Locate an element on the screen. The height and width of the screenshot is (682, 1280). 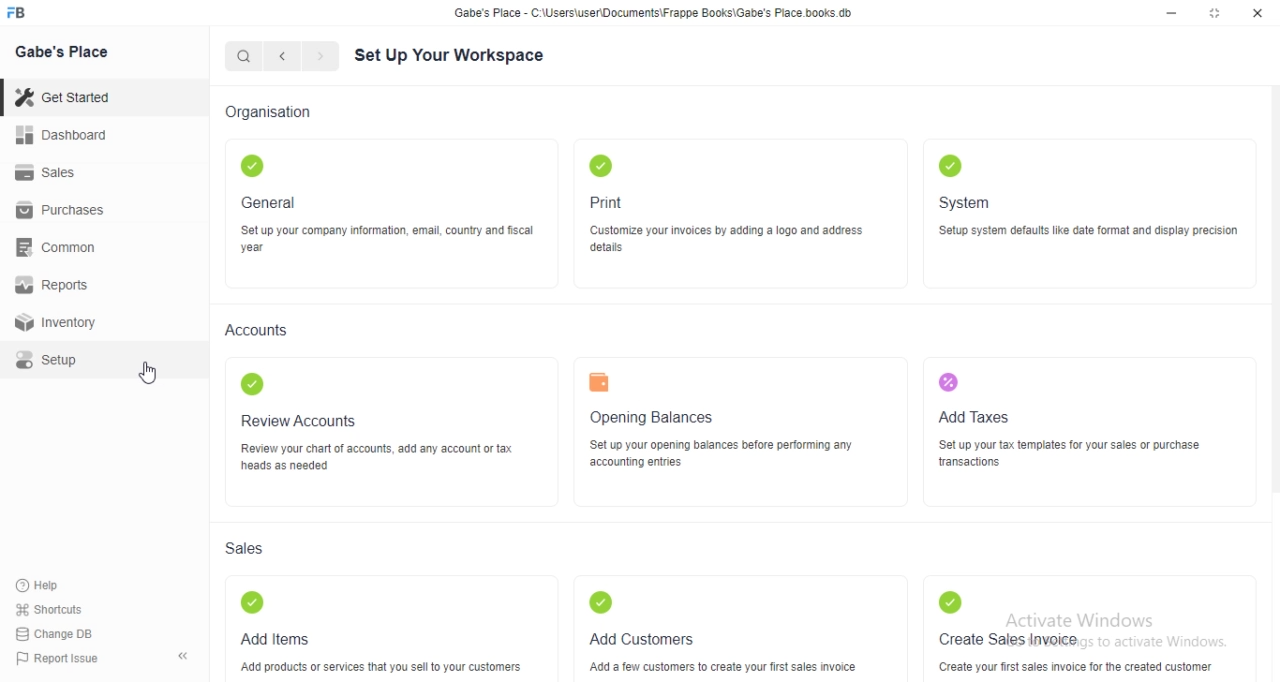
Set Up Your Workspace is located at coordinates (447, 57).